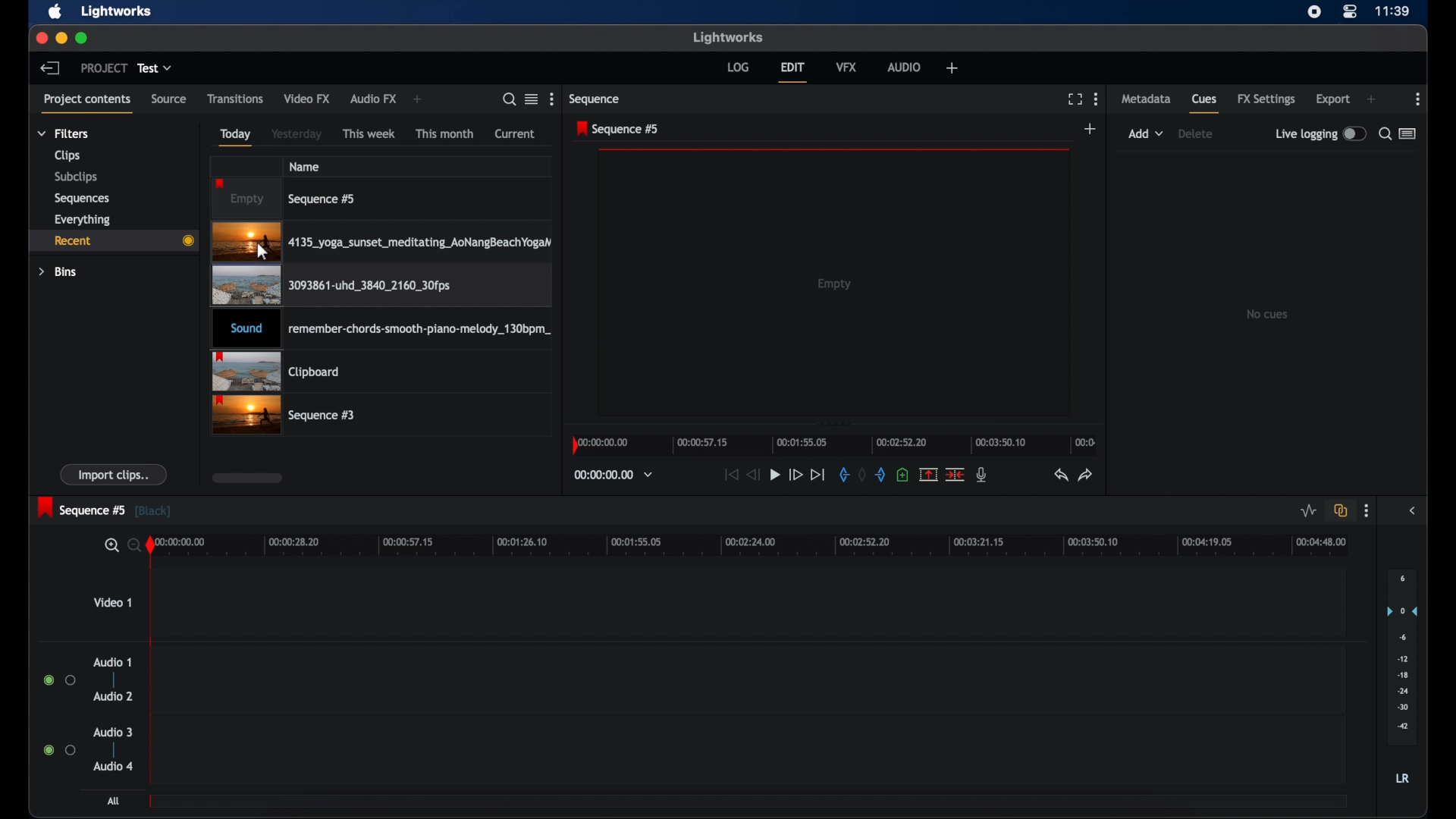  What do you see at coordinates (51, 67) in the screenshot?
I see `back` at bounding box center [51, 67].